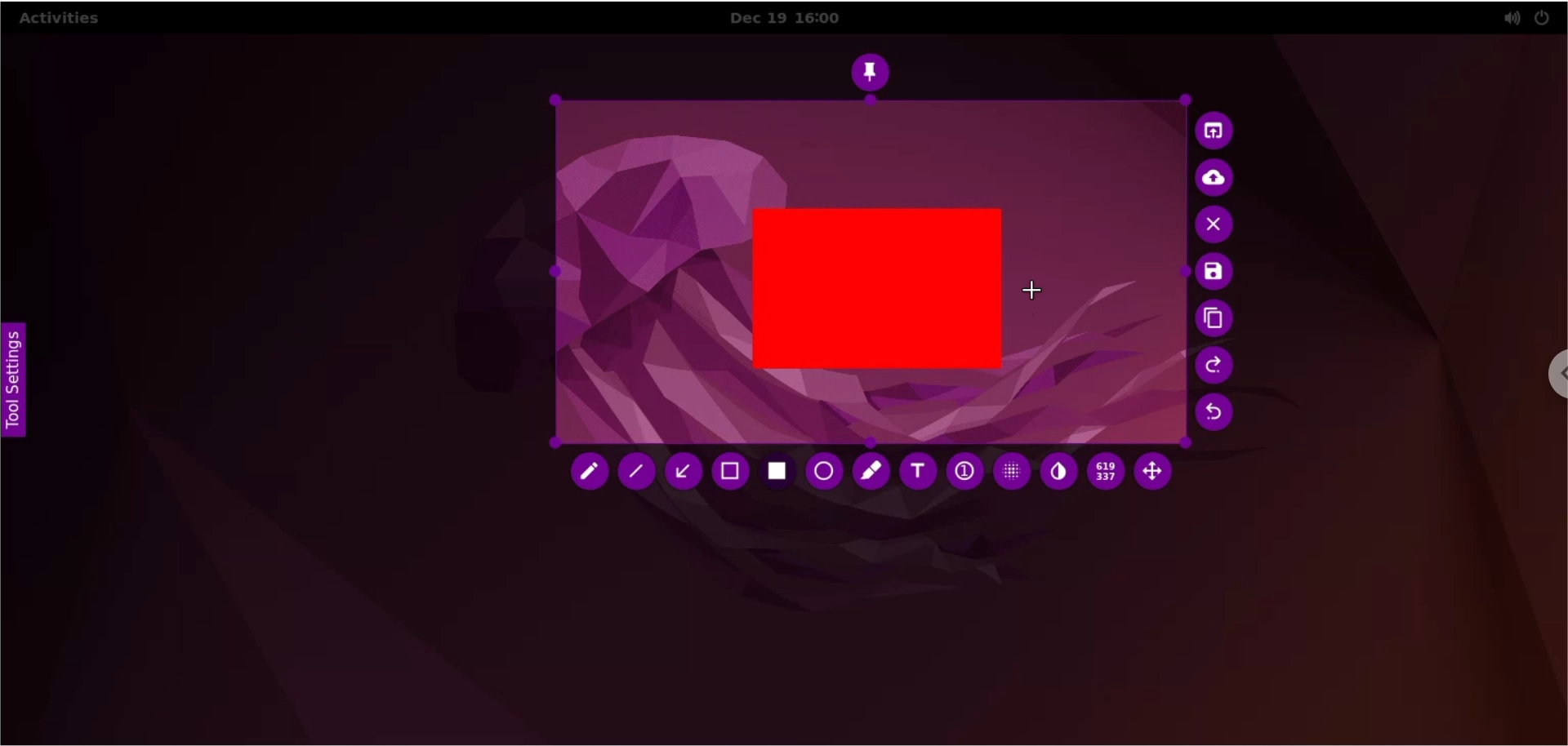  What do you see at coordinates (917, 473) in the screenshot?
I see `text tool` at bounding box center [917, 473].